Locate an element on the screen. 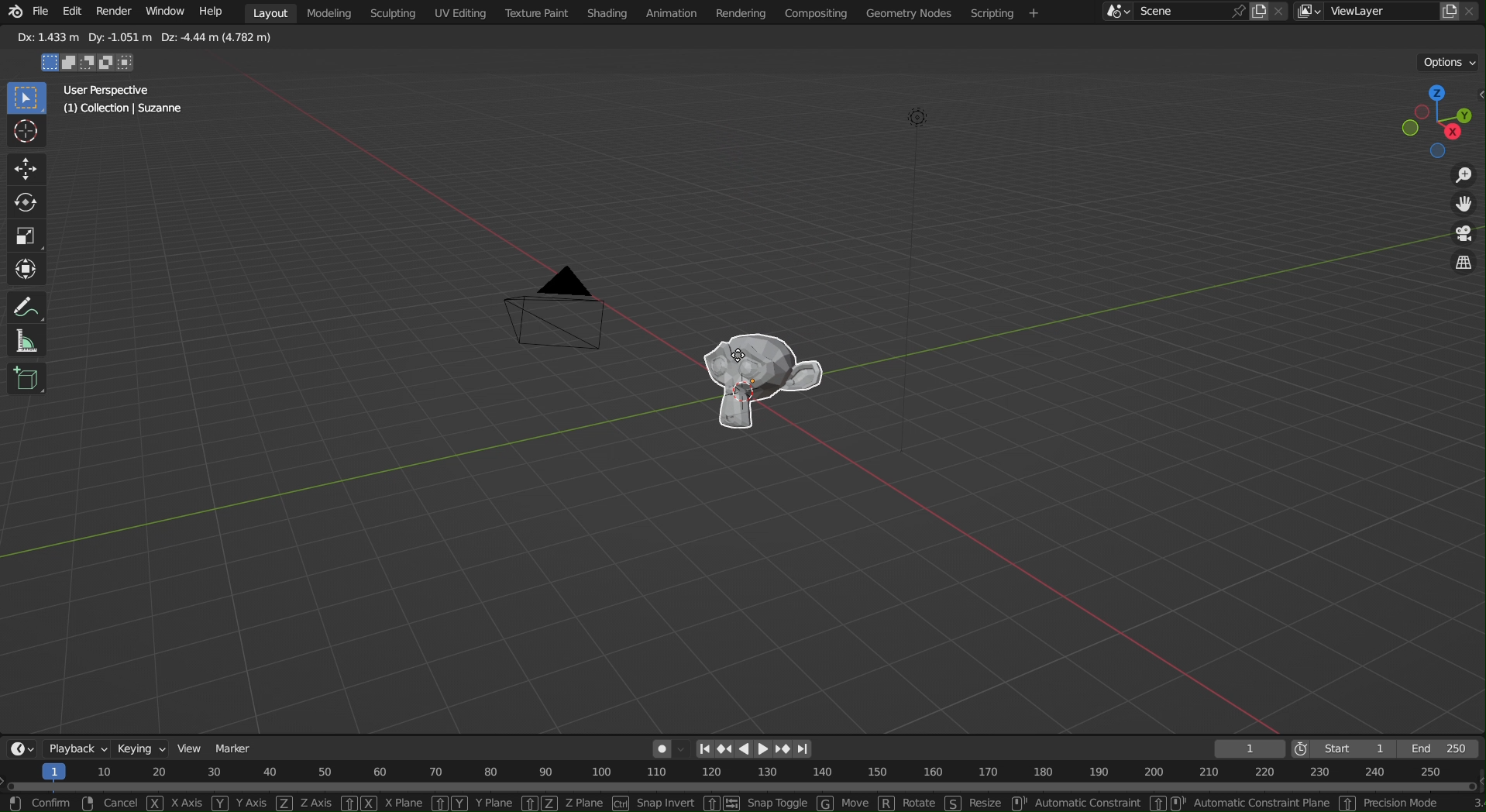 This screenshot has width=1486, height=812. Playback is located at coordinates (77, 750).